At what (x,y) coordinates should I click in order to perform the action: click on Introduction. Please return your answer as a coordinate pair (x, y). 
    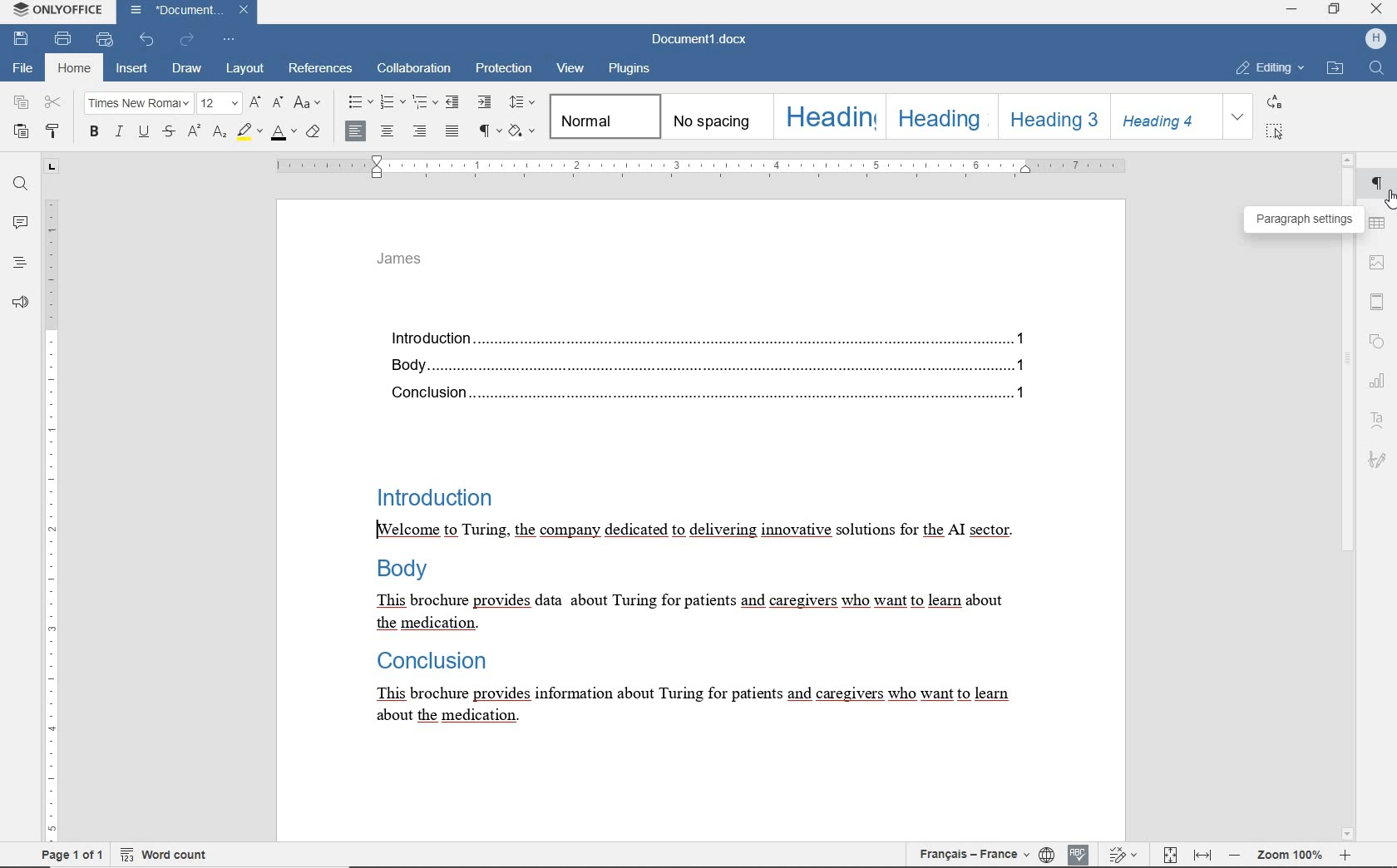
    Looking at the image, I should click on (452, 498).